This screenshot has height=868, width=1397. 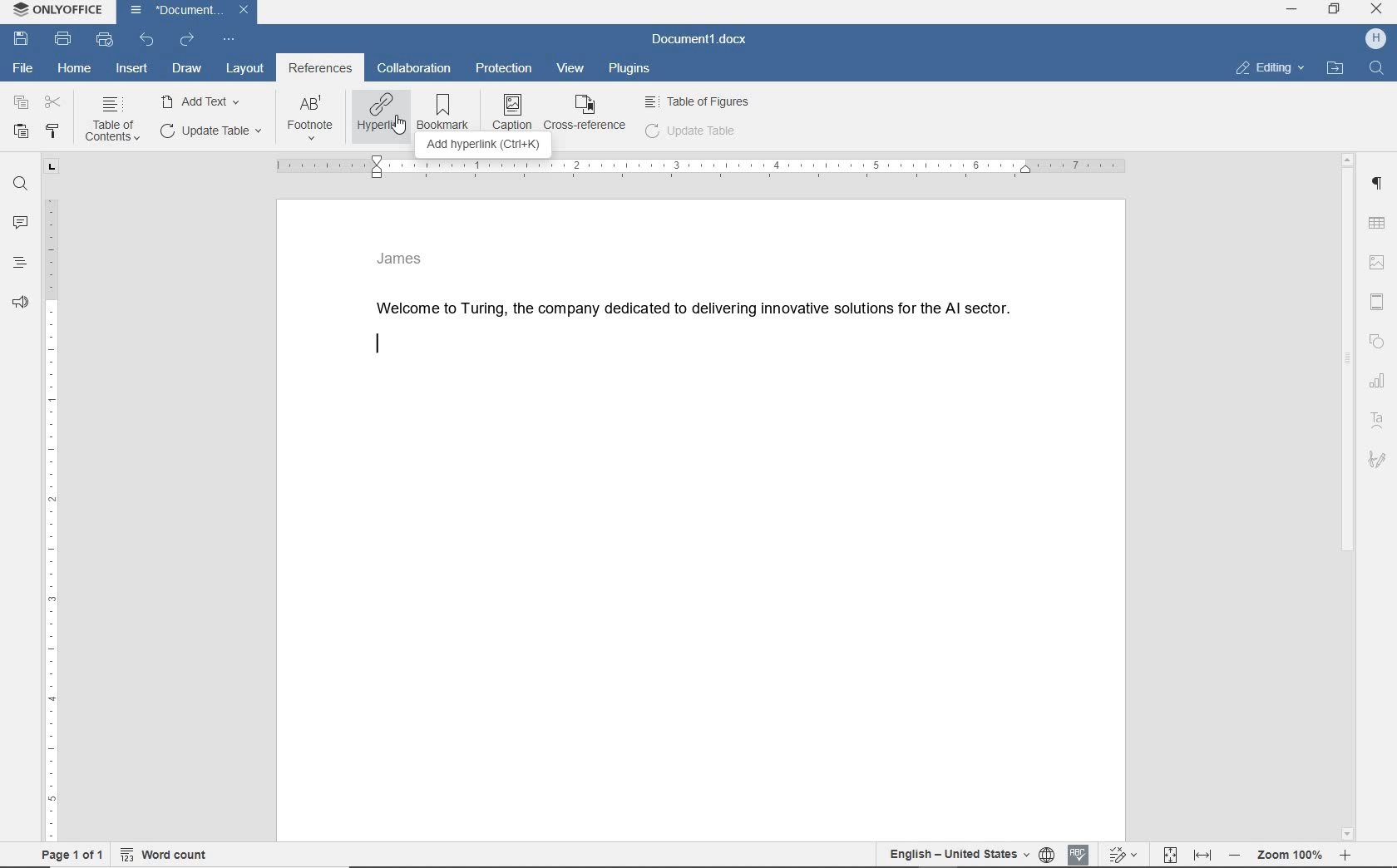 What do you see at coordinates (691, 131) in the screenshot?
I see `update table` at bounding box center [691, 131].